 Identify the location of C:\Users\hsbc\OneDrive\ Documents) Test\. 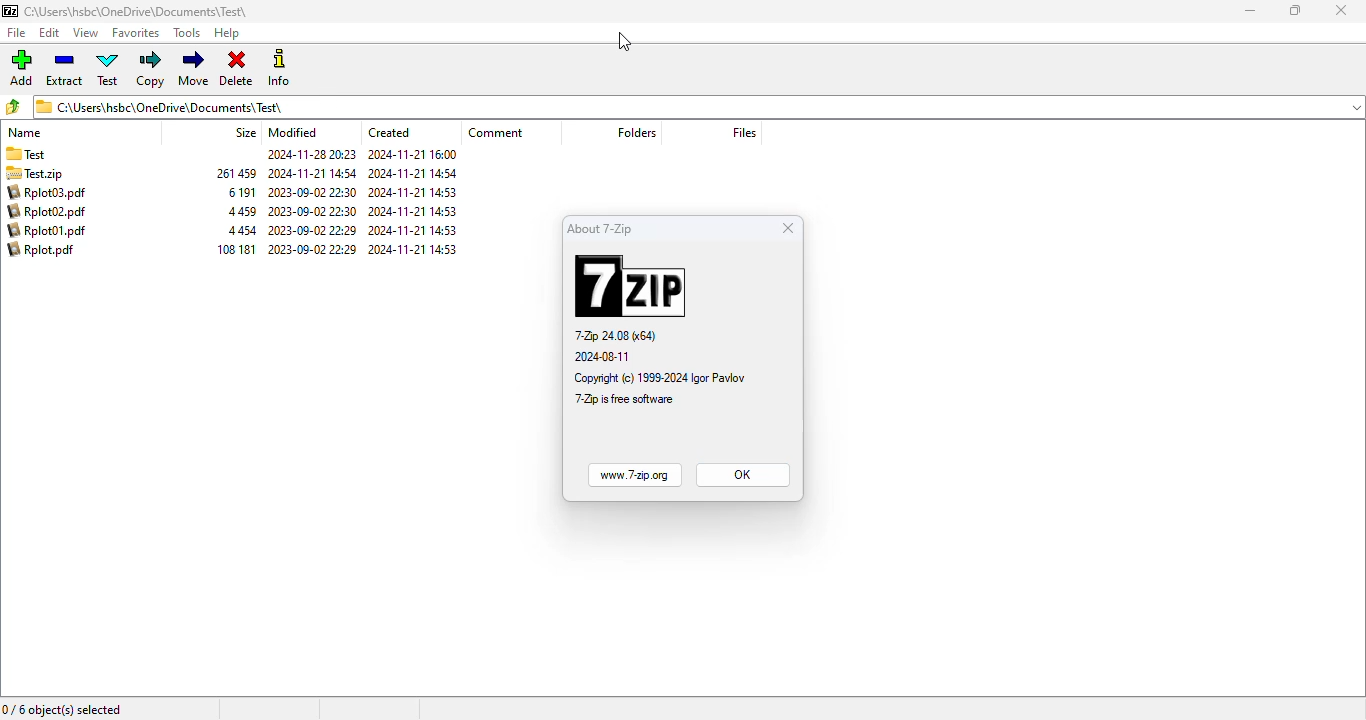
(682, 107).